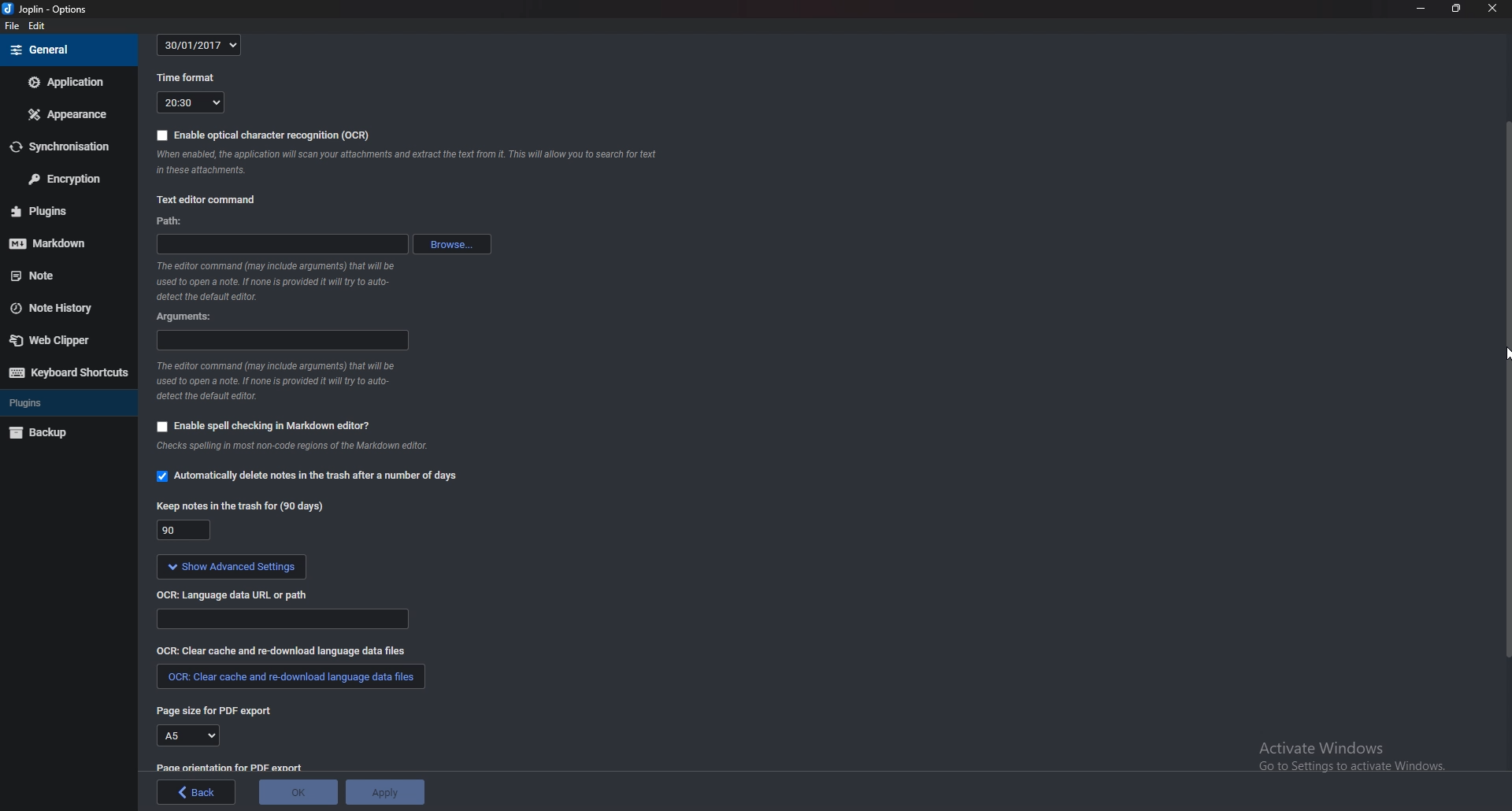 This screenshot has height=811, width=1512. I want to click on Enable spell checking, so click(265, 425).